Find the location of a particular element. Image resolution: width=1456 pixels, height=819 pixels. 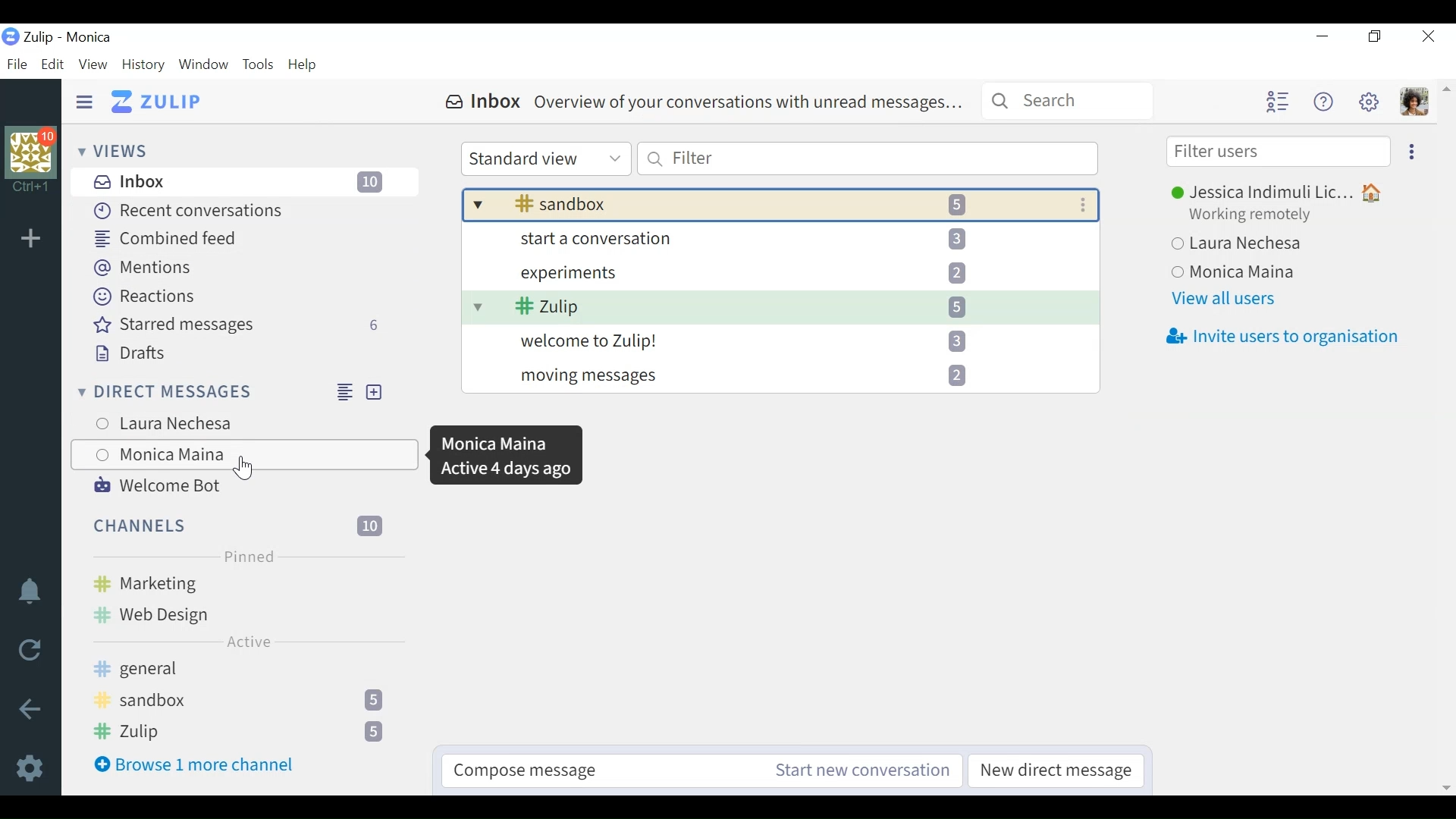

Jessica Indimuli Lic... is located at coordinates (1271, 190).